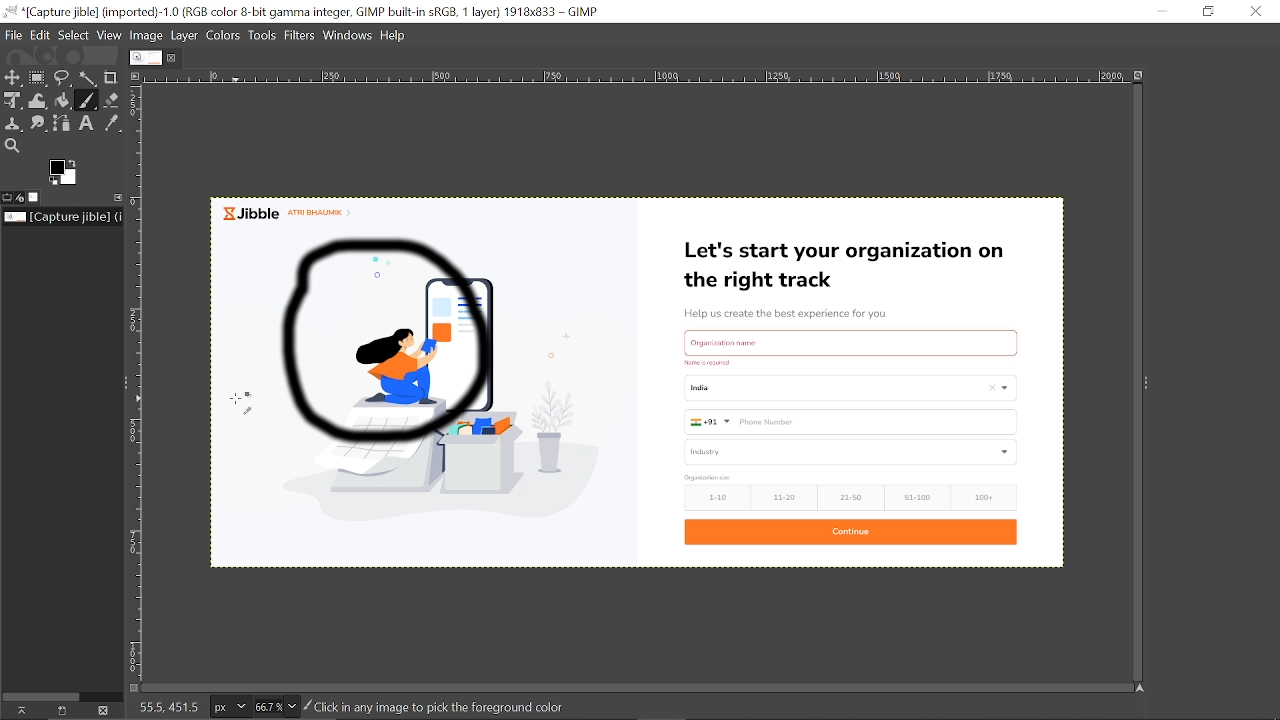  Describe the element at coordinates (413, 348) in the screenshot. I see `Circle drawn using paintbrush` at that location.